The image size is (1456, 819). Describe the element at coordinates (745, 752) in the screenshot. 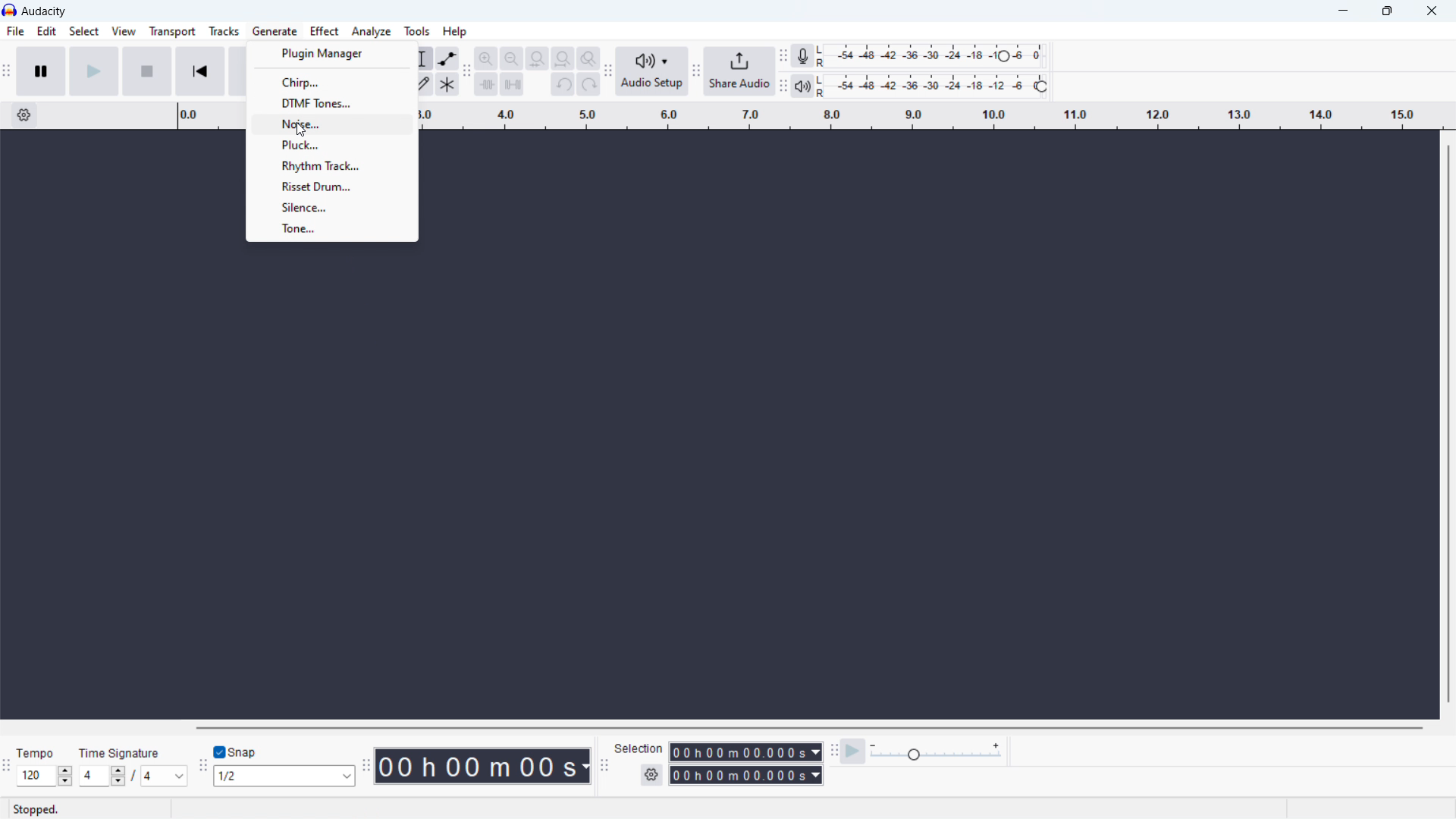

I see `start time` at that location.